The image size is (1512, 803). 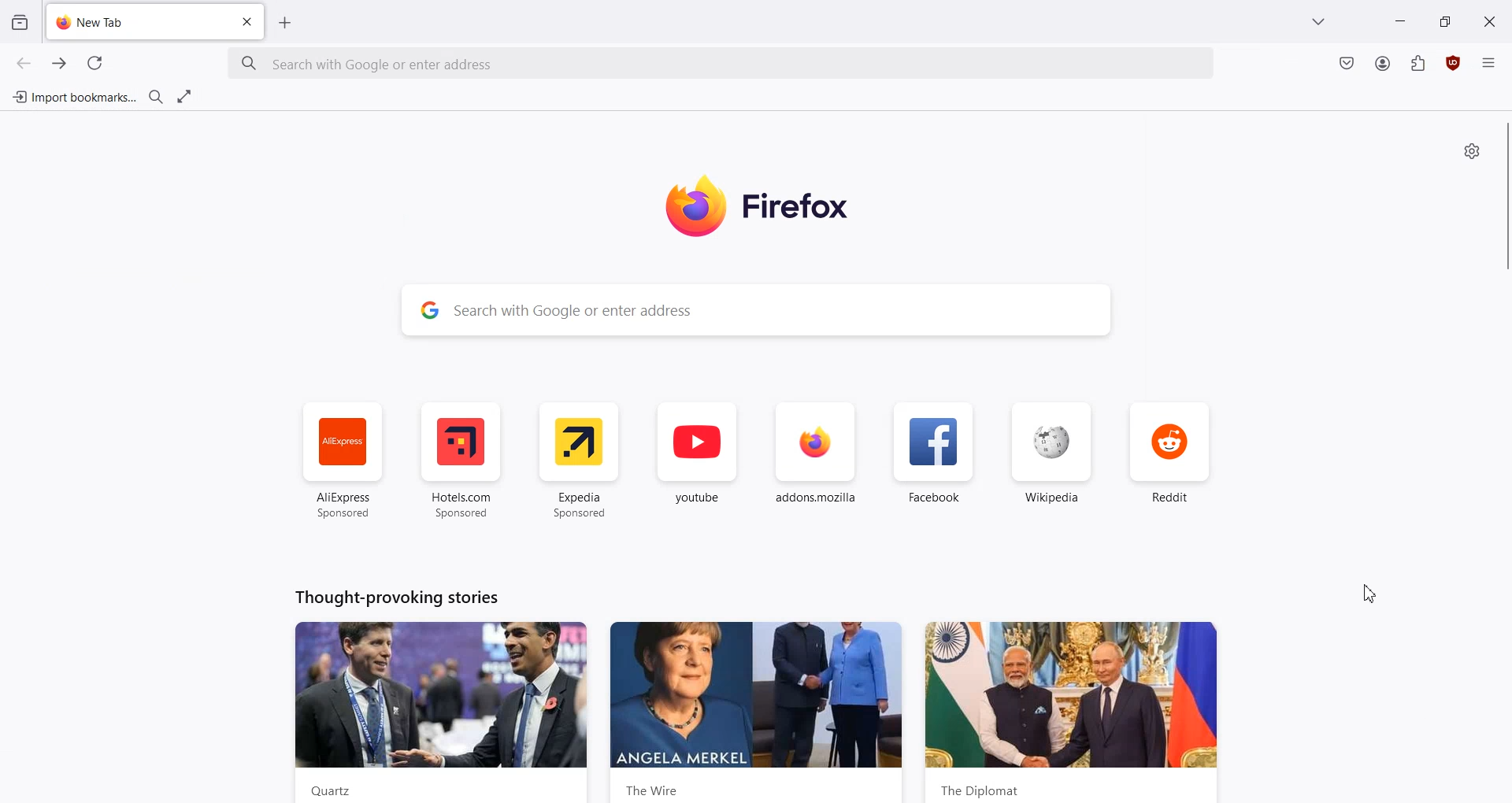 I want to click on Close, so click(x=1489, y=20).